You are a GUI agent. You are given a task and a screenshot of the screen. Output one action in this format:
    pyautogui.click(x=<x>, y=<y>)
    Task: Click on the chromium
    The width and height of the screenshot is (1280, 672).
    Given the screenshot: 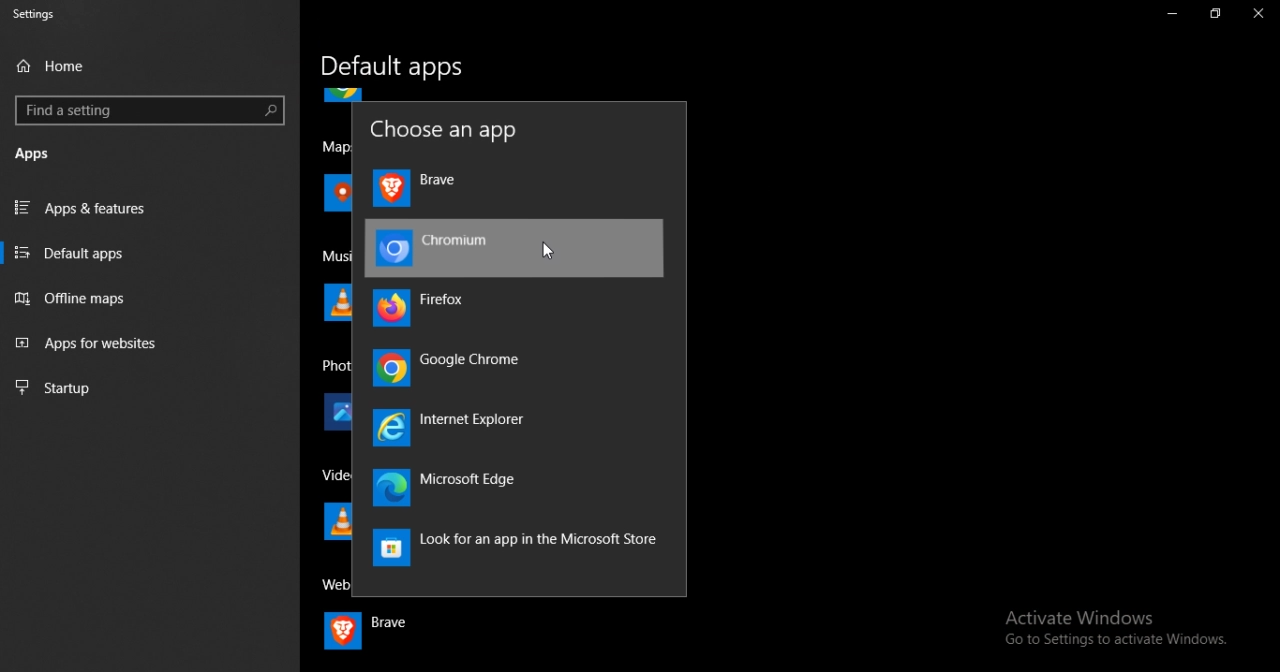 What is the action you would take?
    pyautogui.click(x=516, y=248)
    